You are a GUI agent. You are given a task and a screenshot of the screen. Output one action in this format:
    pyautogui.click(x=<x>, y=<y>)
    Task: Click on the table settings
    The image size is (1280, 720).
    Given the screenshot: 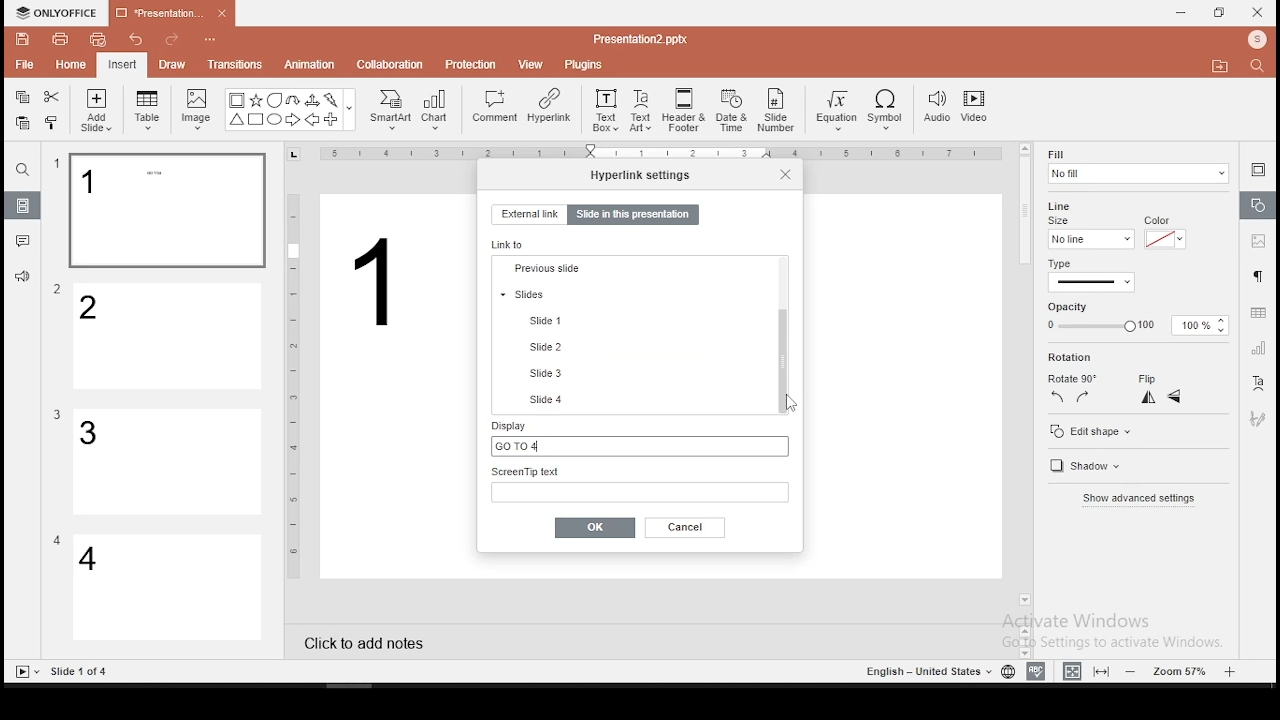 What is the action you would take?
    pyautogui.click(x=1256, y=313)
    